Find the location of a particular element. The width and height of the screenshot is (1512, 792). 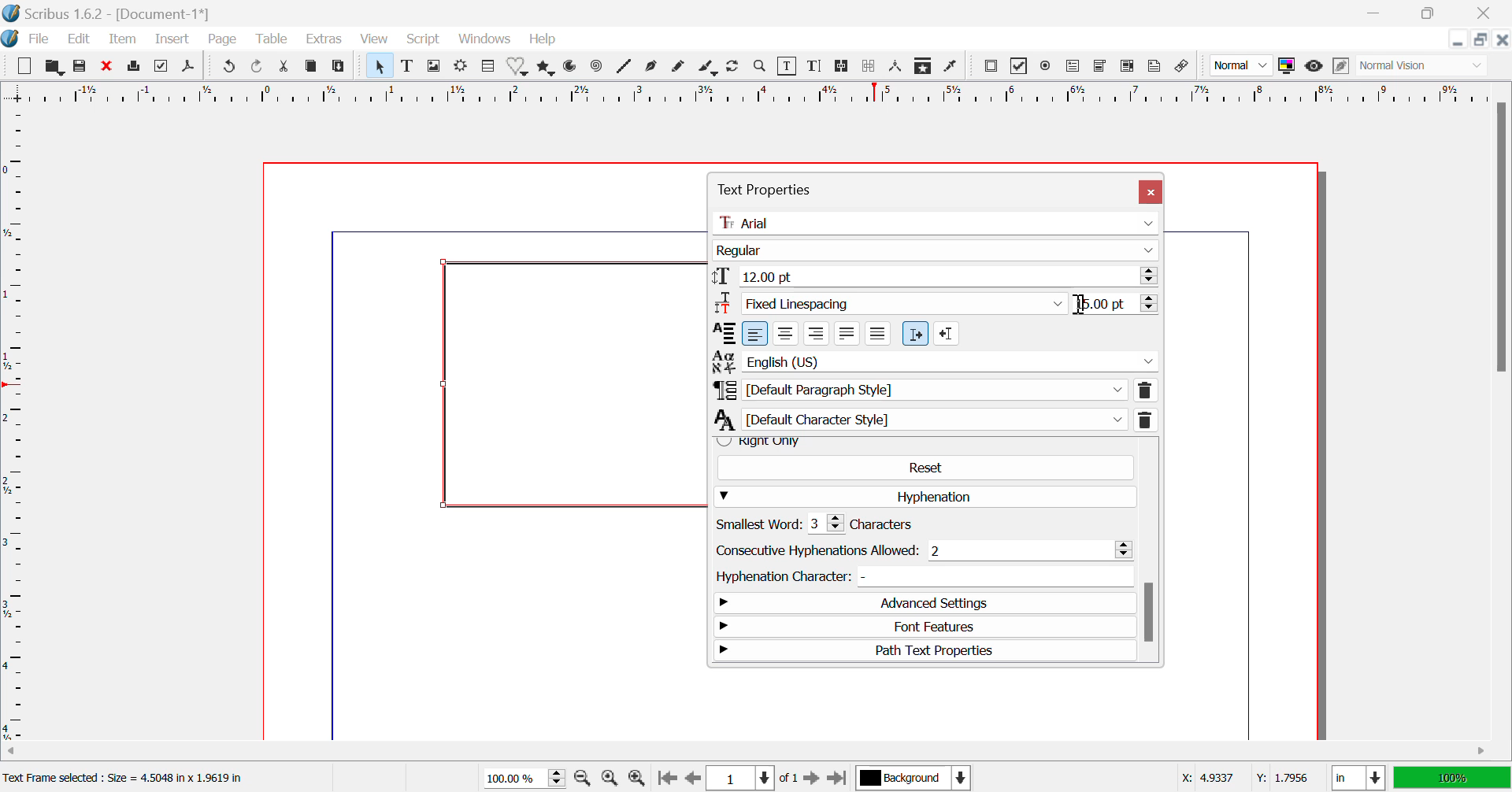

Open is located at coordinates (54, 66).